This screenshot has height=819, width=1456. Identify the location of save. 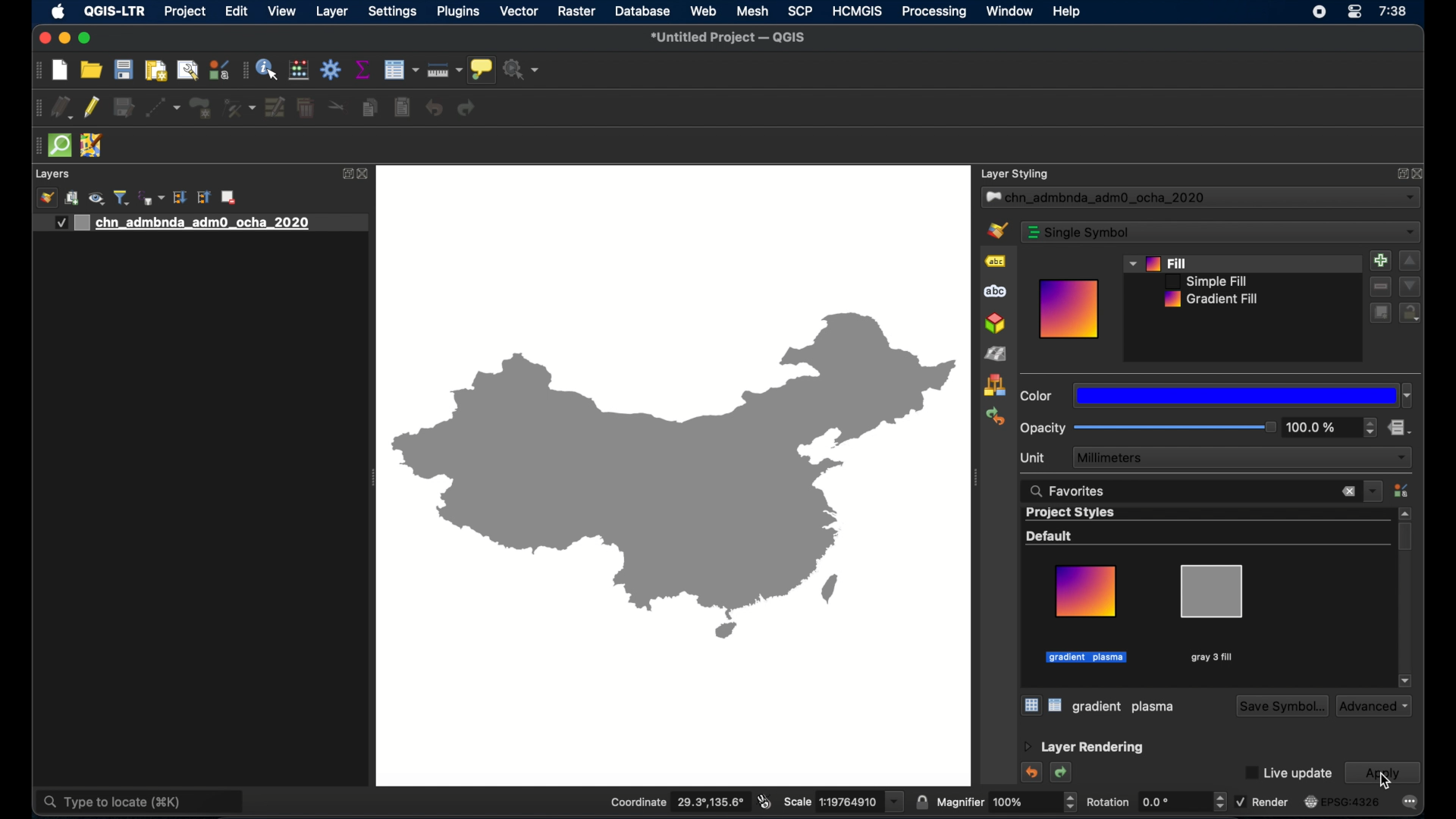
(124, 69).